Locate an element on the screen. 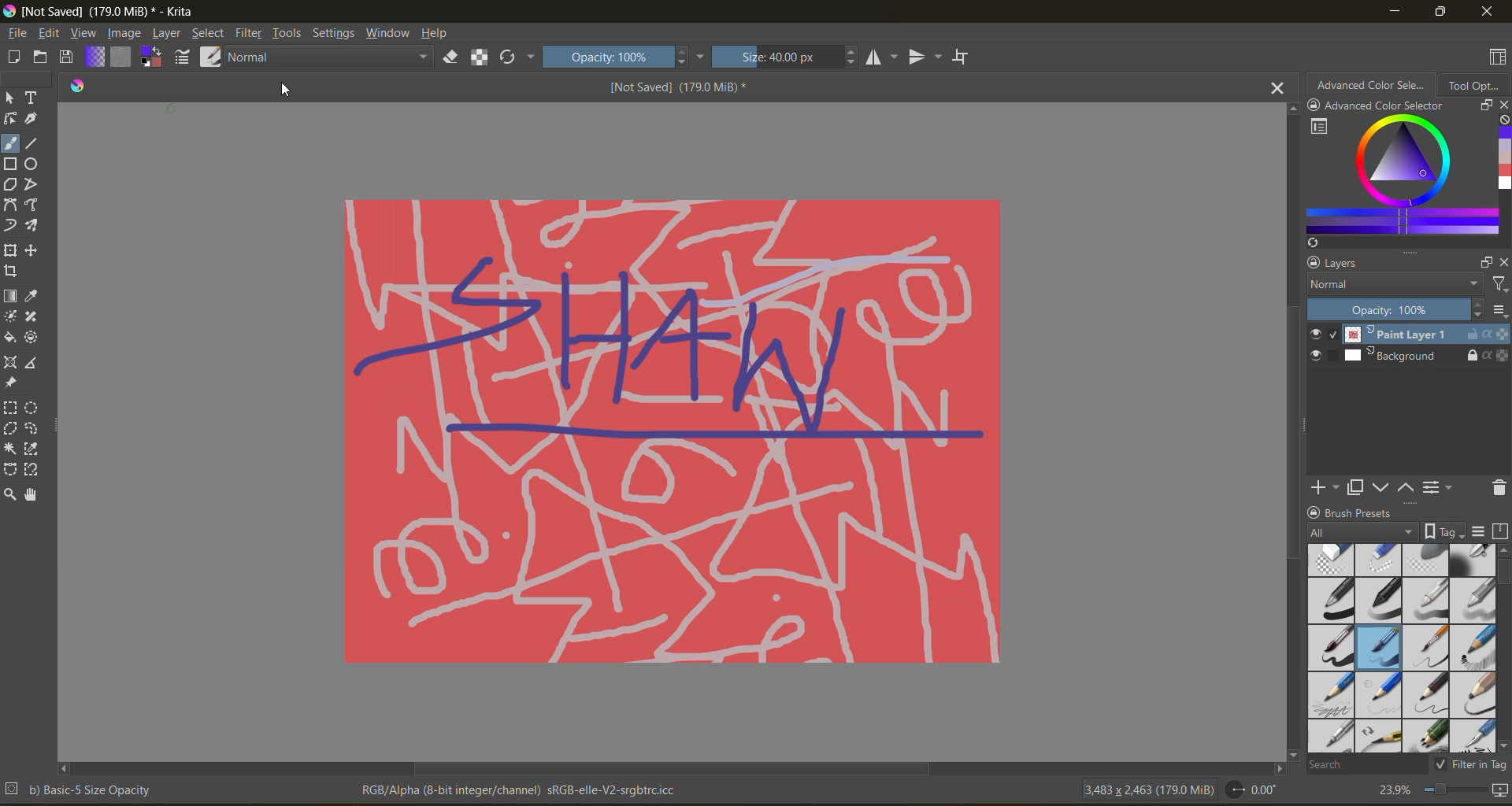  remove is located at coordinates (1497, 487).